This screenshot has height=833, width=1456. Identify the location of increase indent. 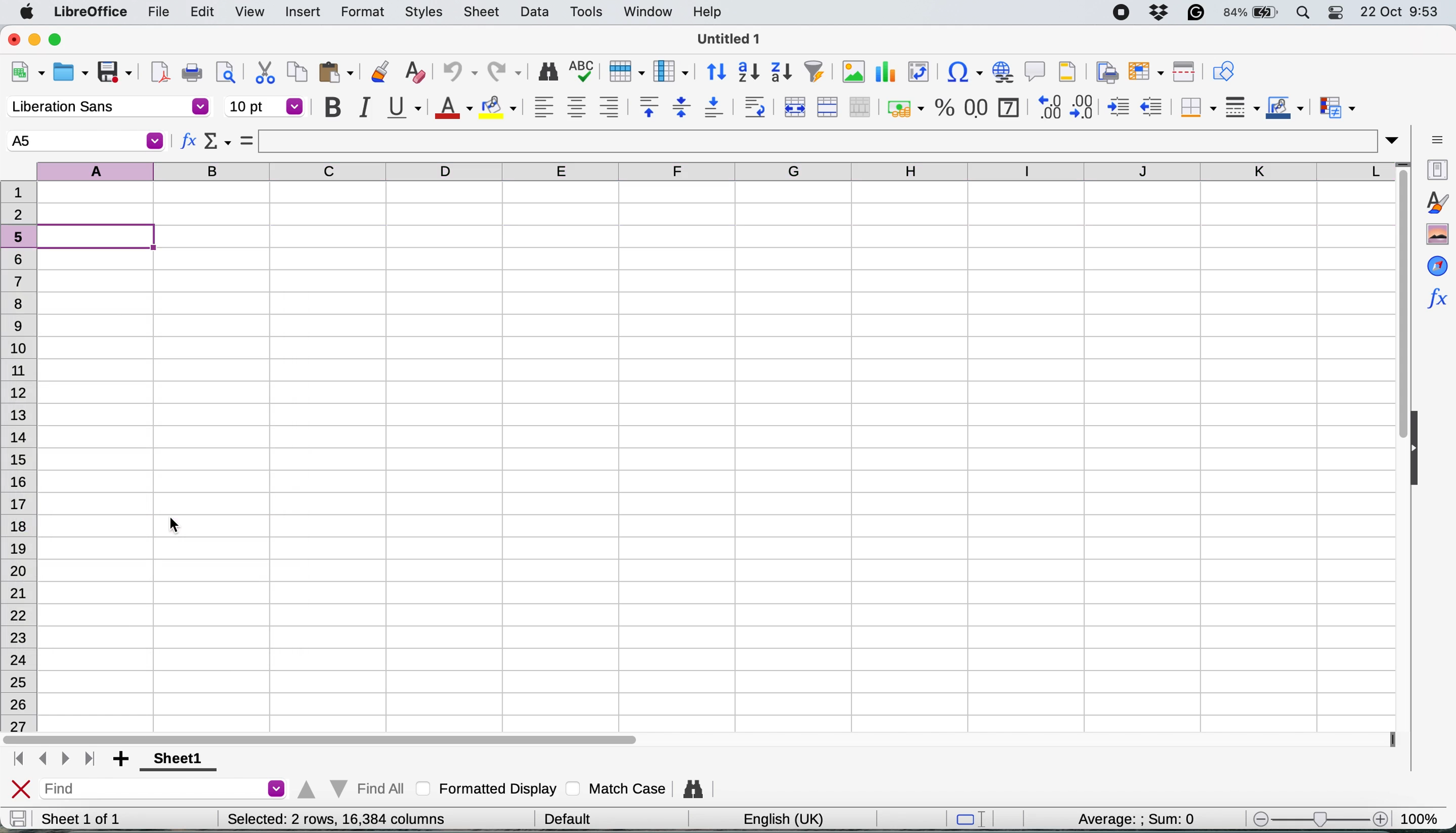
(1120, 107).